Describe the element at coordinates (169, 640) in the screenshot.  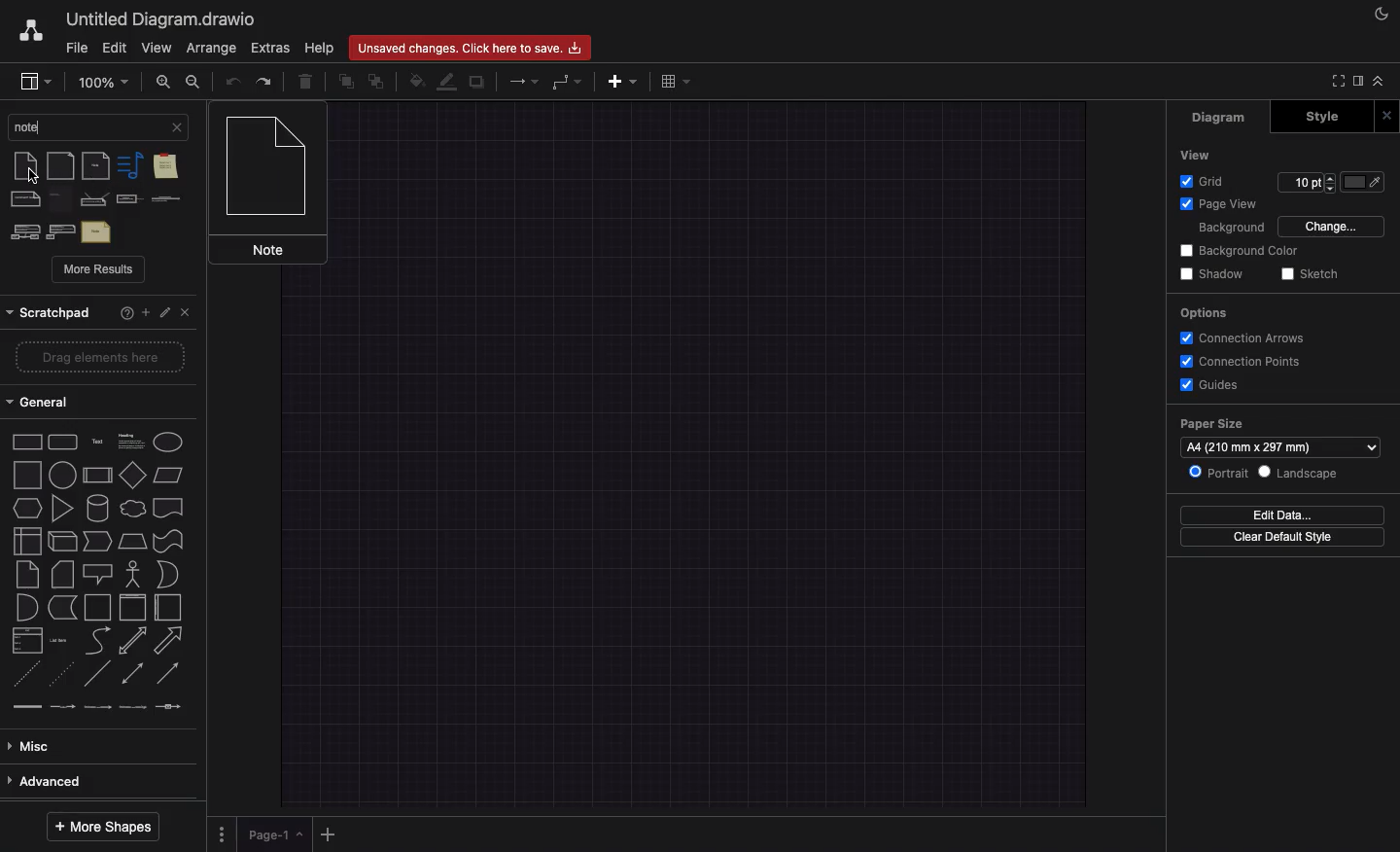
I see `arrow` at that location.